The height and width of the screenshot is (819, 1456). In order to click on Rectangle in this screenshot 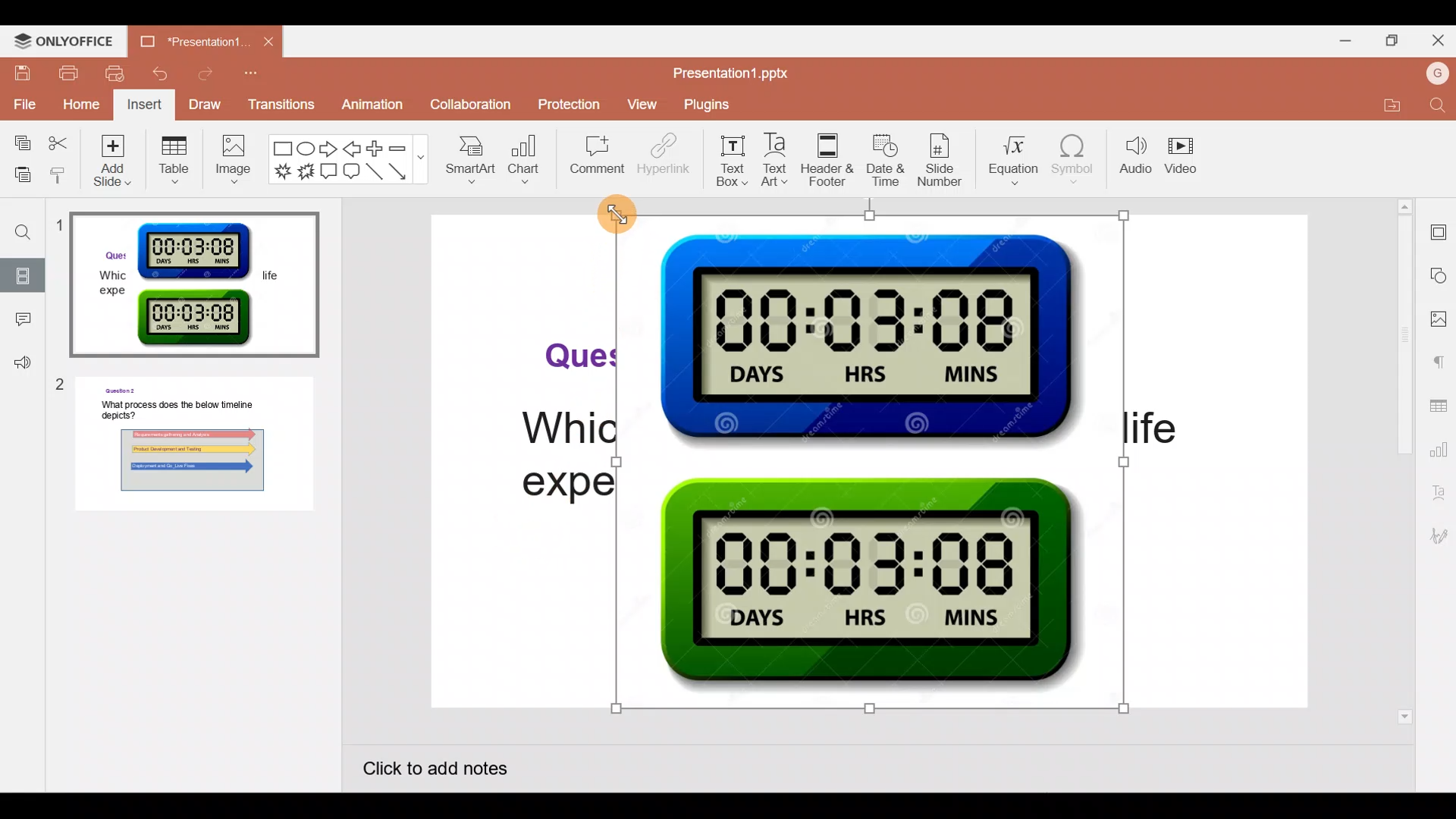, I will do `click(279, 147)`.